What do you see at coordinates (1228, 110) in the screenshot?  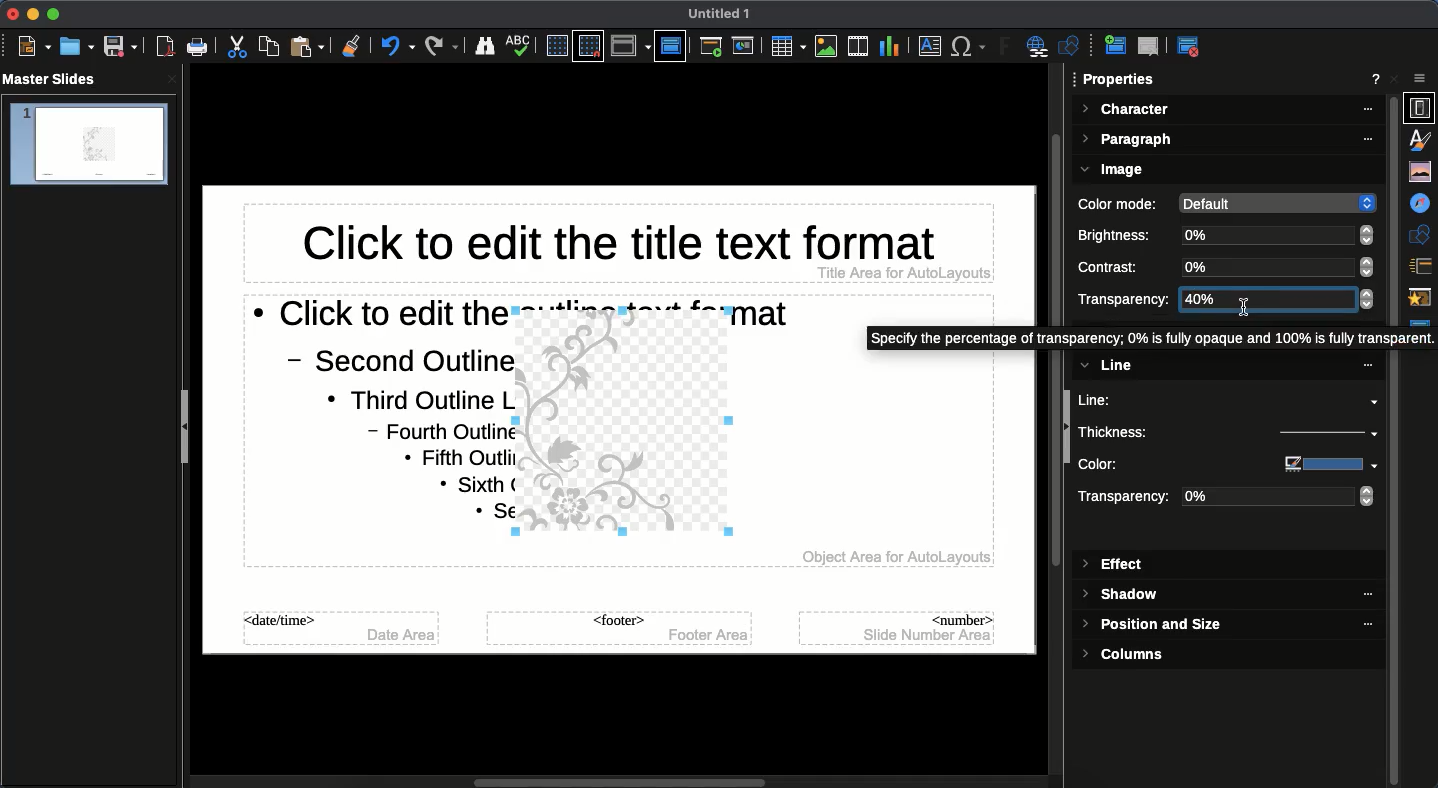 I see `Character` at bounding box center [1228, 110].